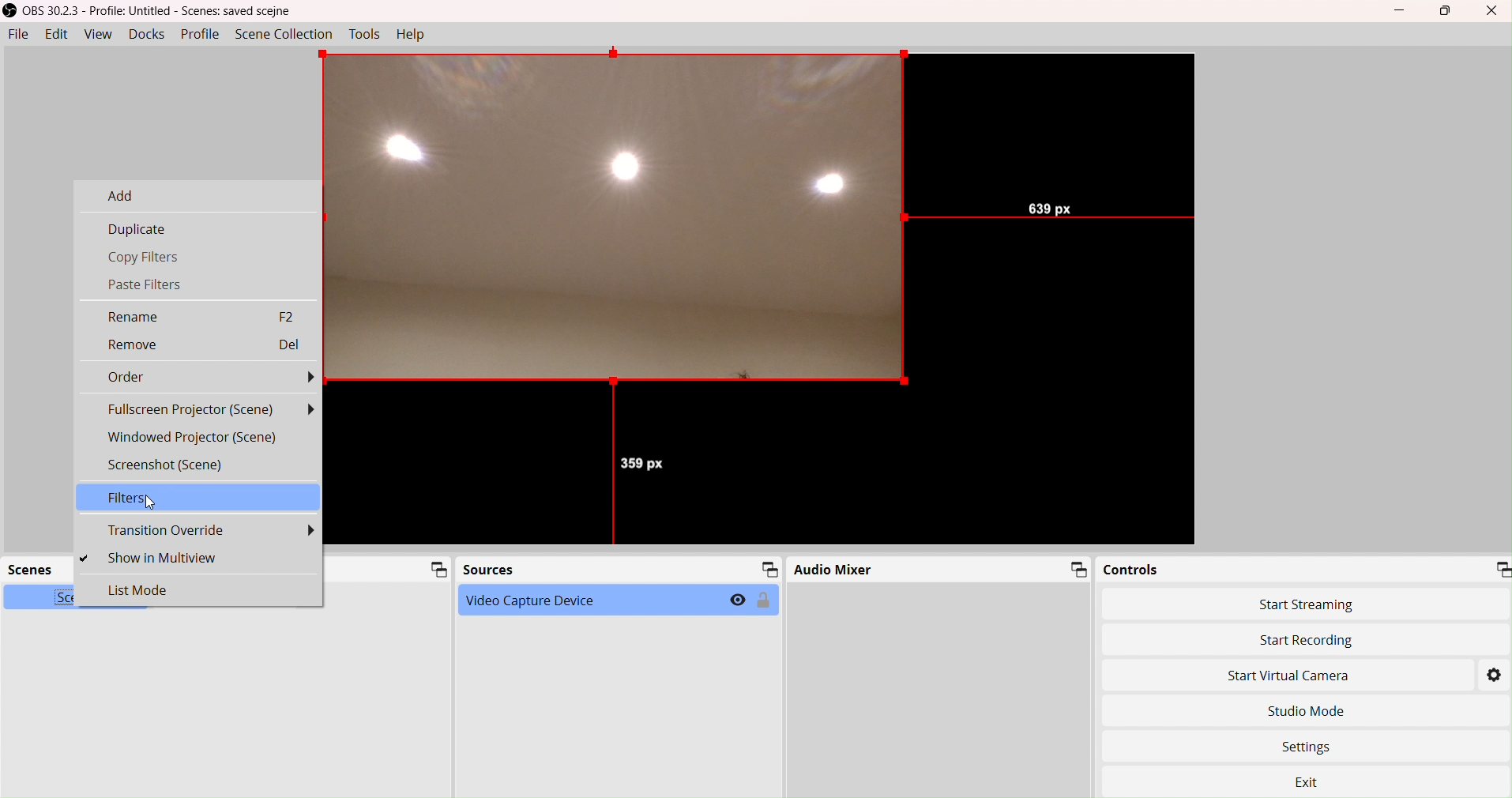 The height and width of the screenshot is (798, 1512). I want to click on Windowed Projector (Scene), so click(188, 439).